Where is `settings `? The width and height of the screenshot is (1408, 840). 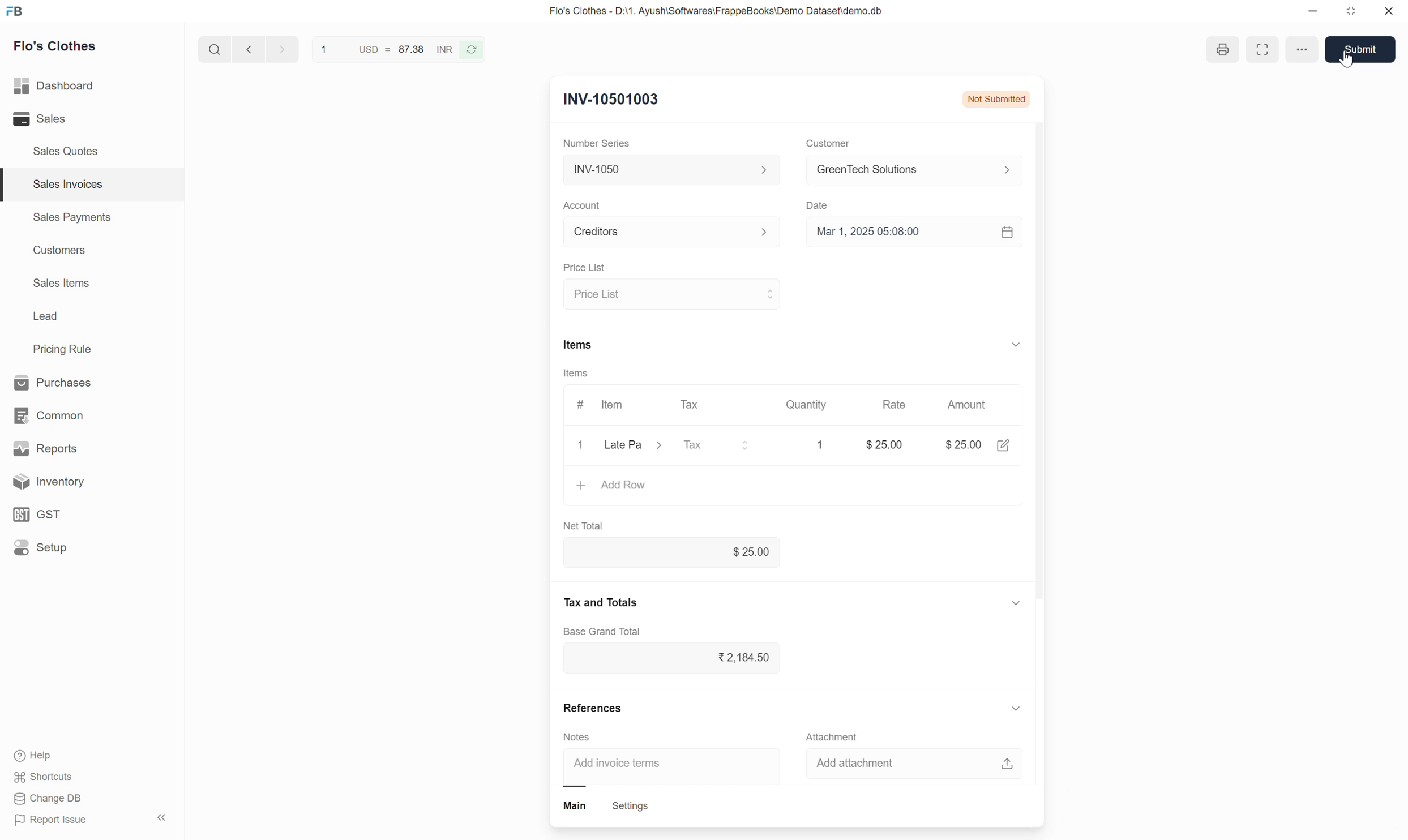
settings  is located at coordinates (647, 807).